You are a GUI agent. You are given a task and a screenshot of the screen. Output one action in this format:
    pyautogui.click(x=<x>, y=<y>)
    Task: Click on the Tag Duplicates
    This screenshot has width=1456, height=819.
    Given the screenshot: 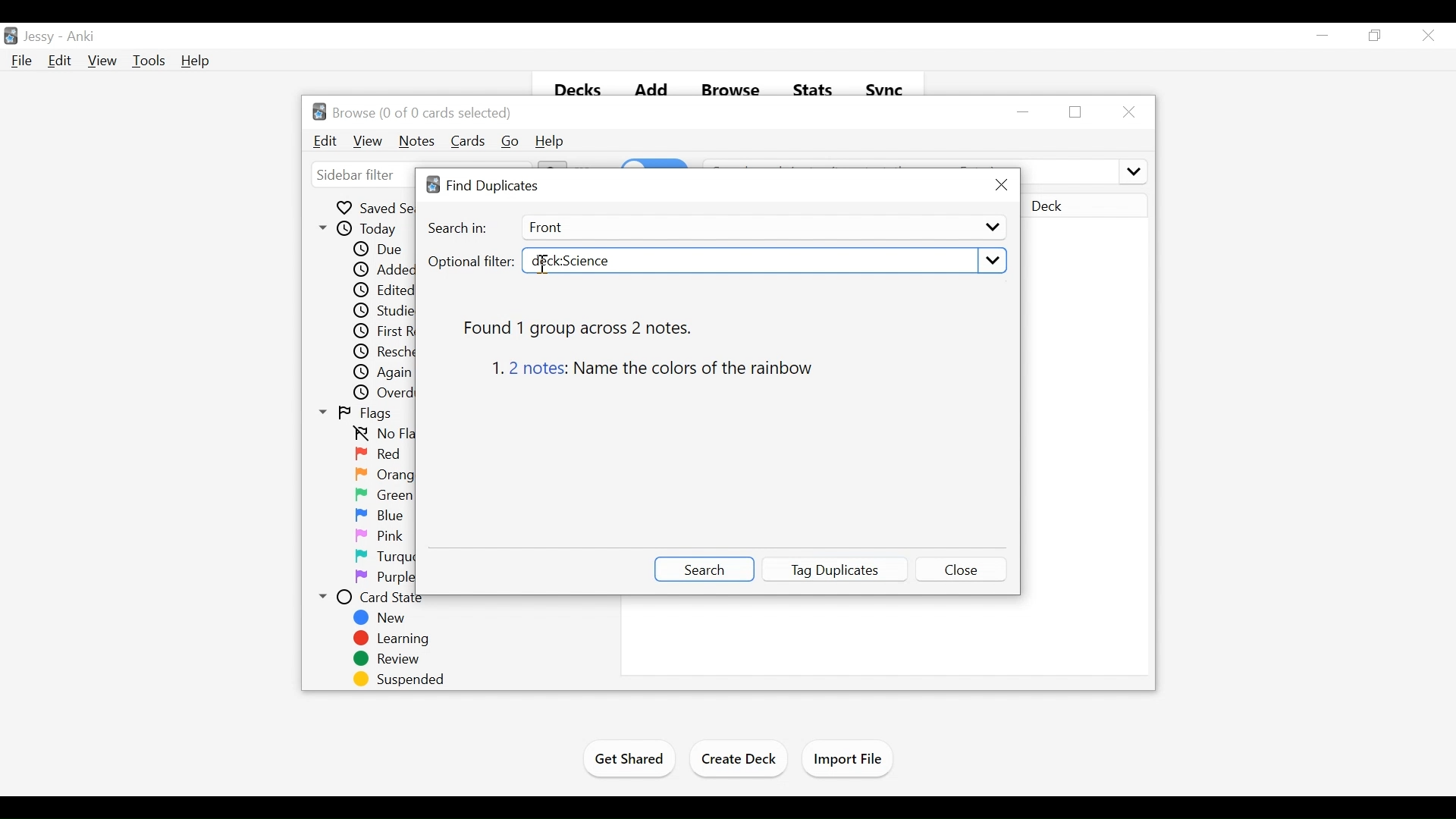 What is the action you would take?
    pyautogui.click(x=834, y=570)
    